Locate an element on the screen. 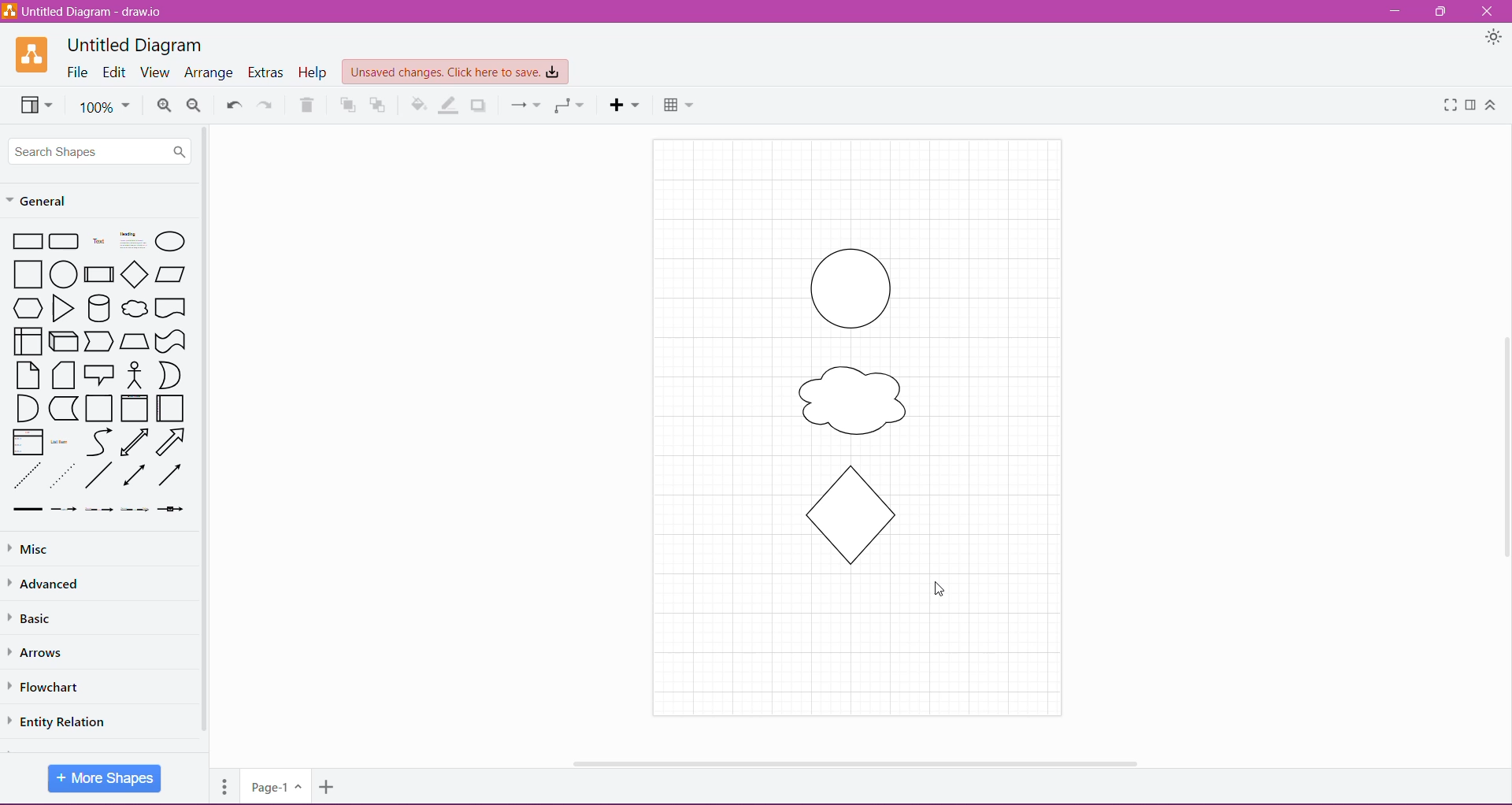 The height and width of the screenshot is (805, 1512). Line Color is located at coordinates (447, 105).